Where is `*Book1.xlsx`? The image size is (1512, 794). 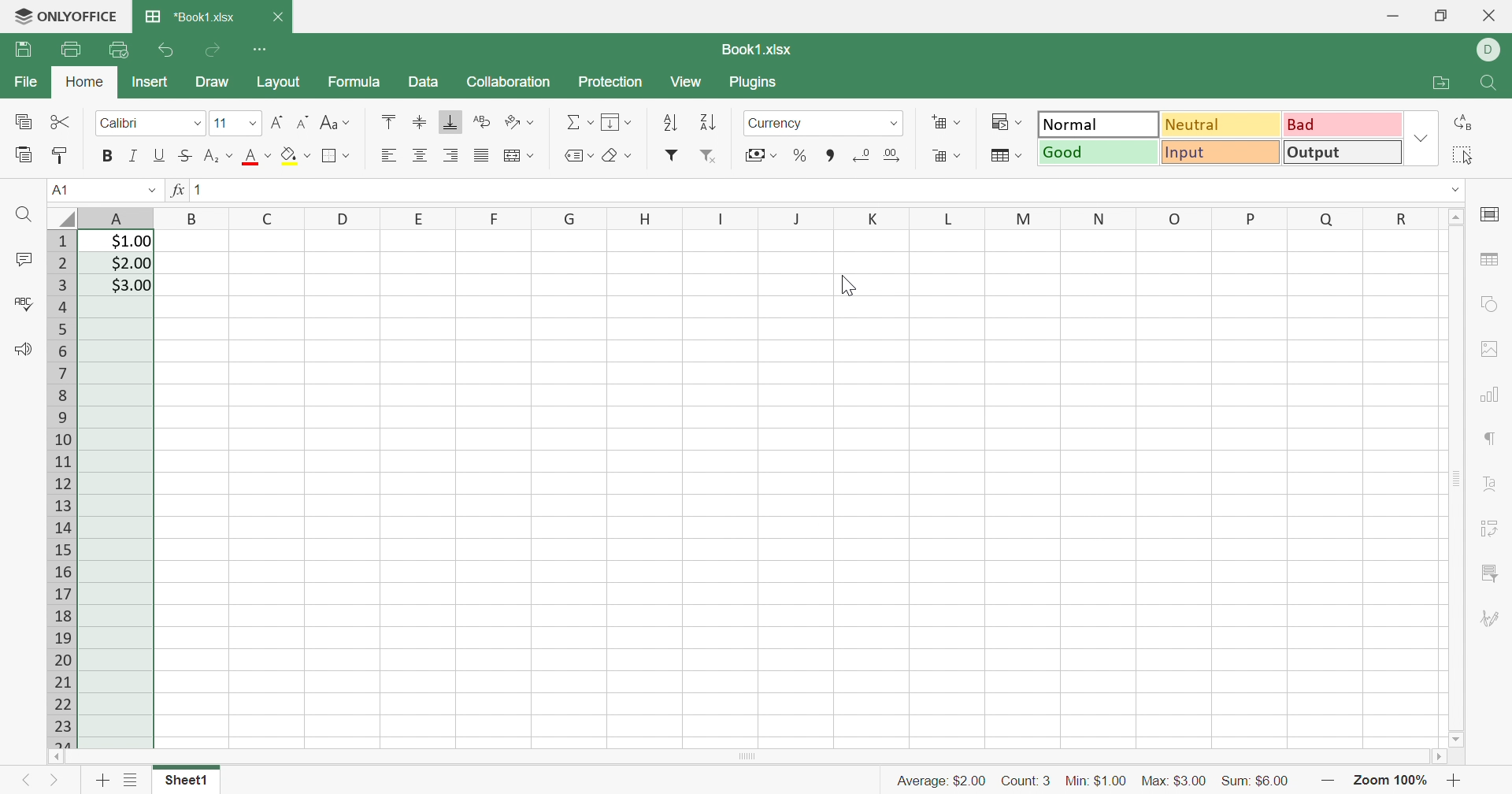 *Book1.xlsx is located at coordinates (190, 15).